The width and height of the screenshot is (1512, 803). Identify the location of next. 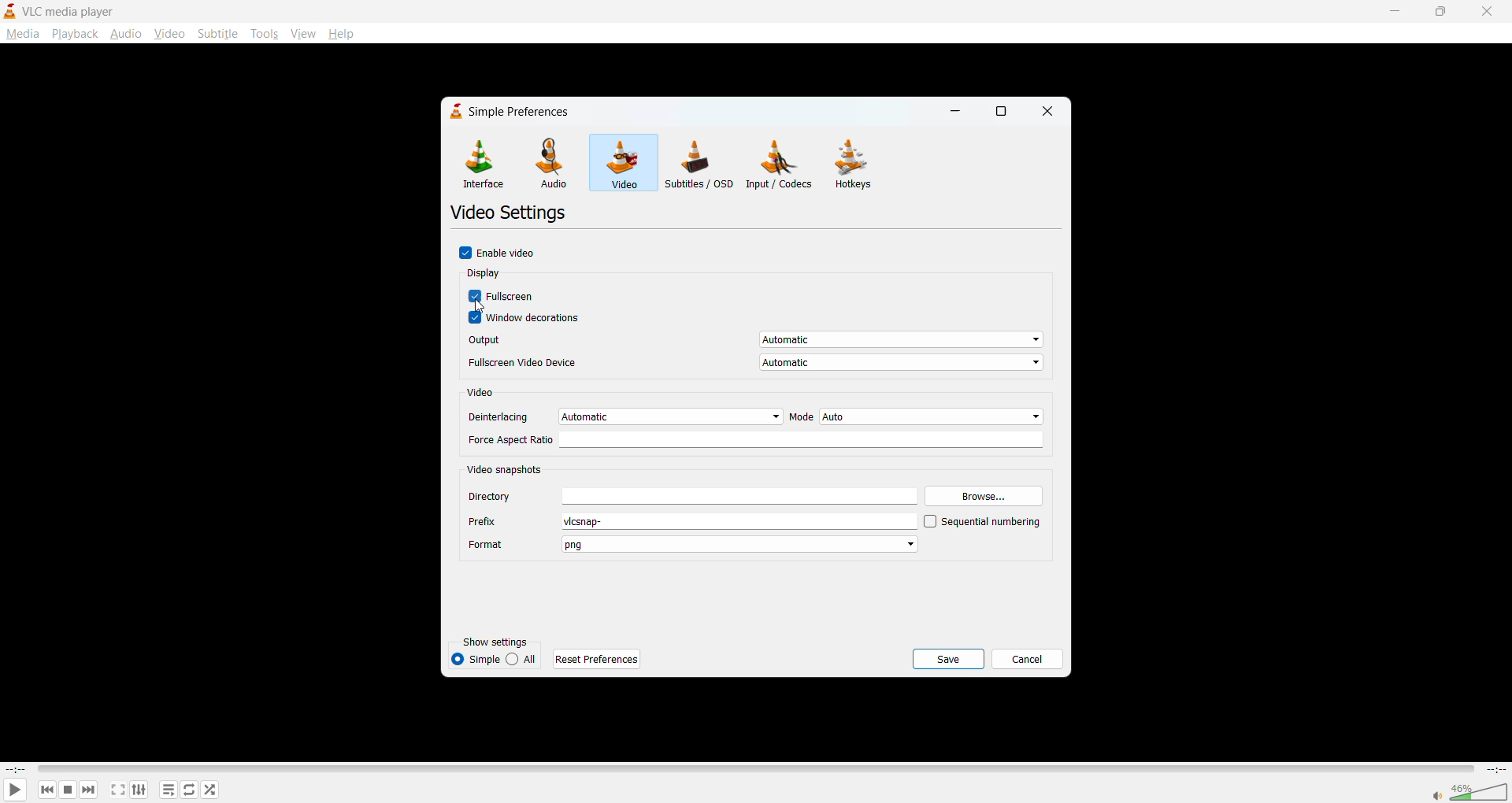
(86, 790).